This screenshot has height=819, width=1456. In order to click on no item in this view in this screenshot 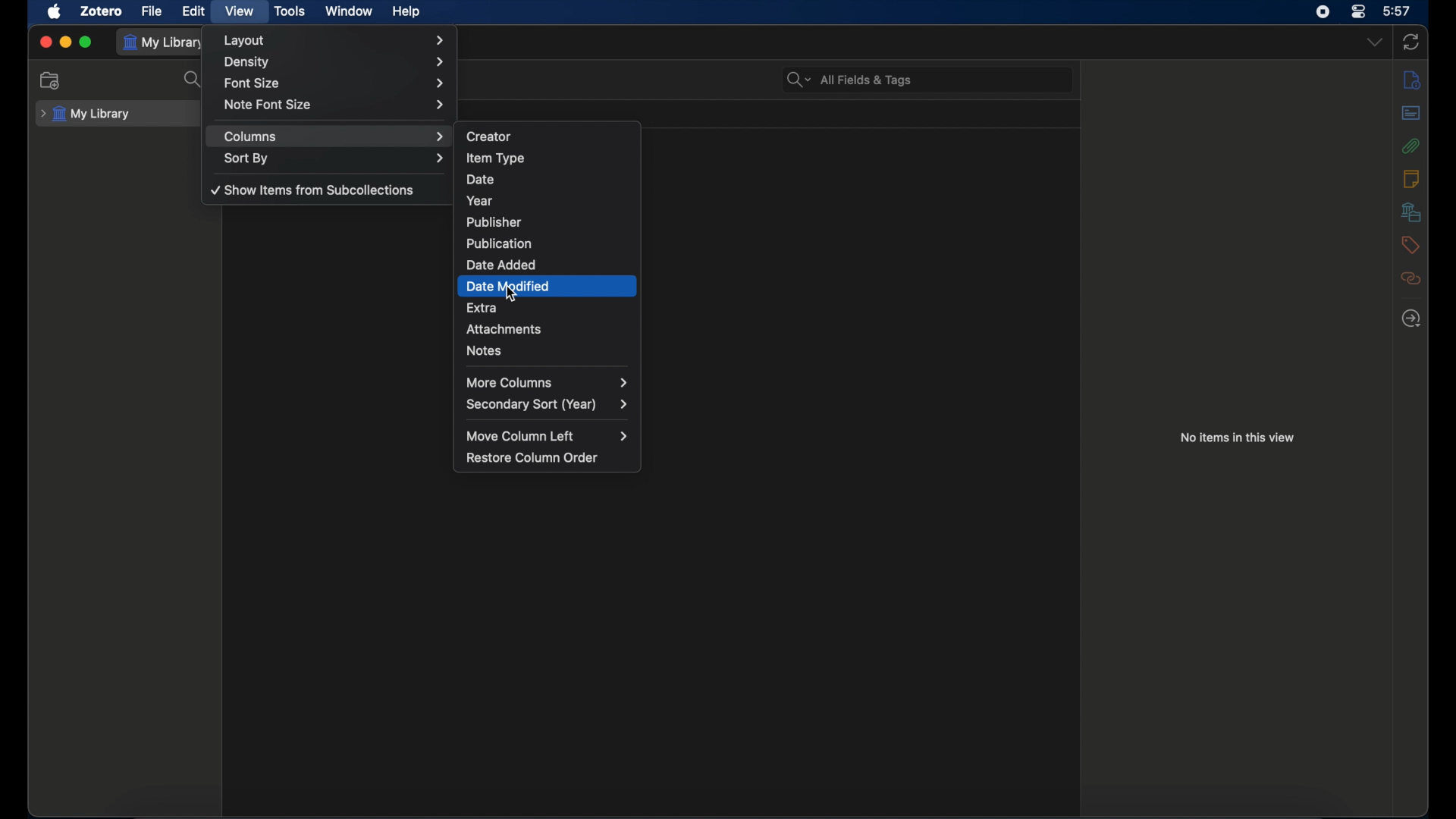, I will do `click(1238, 437)`.